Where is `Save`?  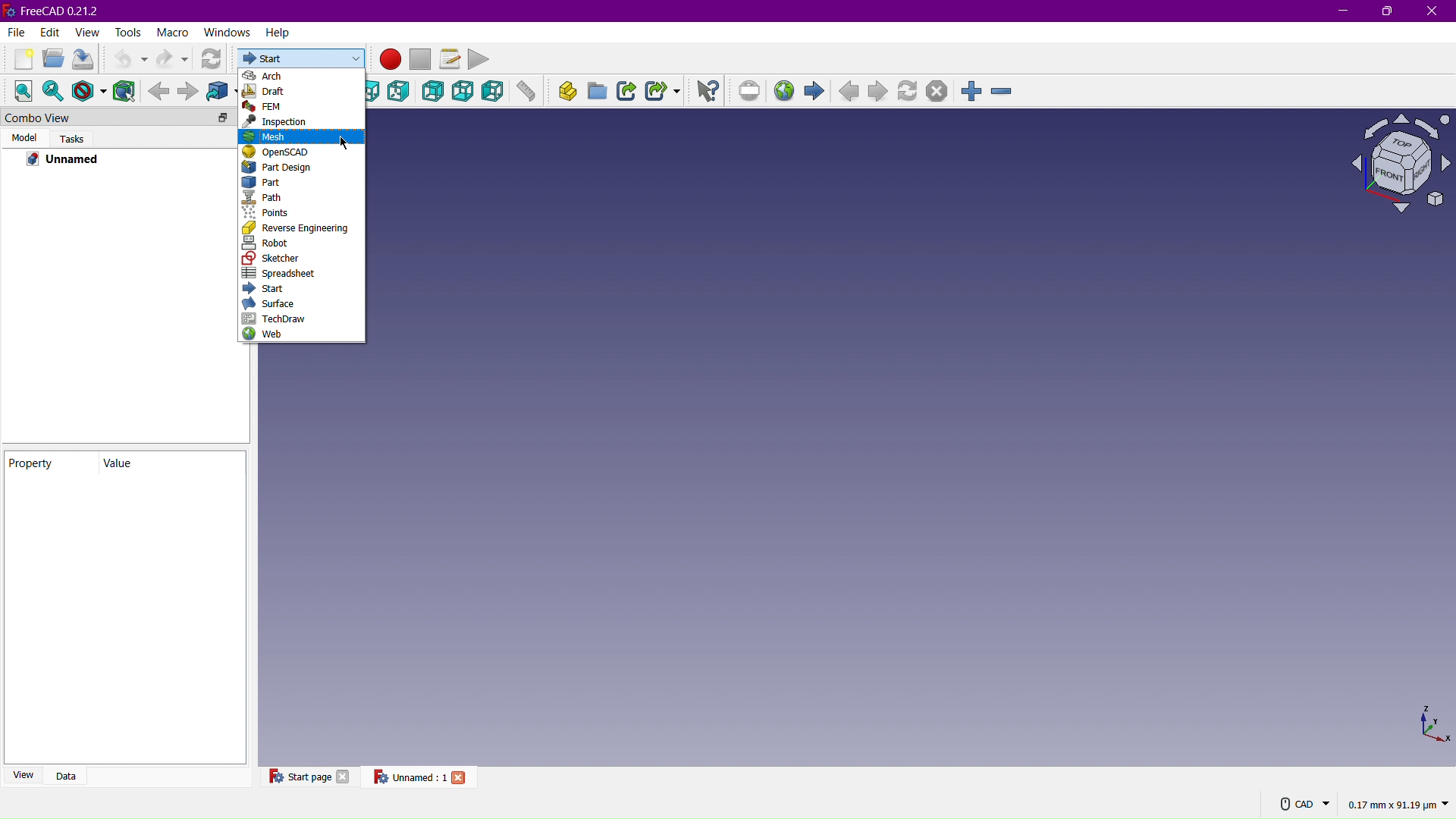 Save is located at coordinates (82, 60).